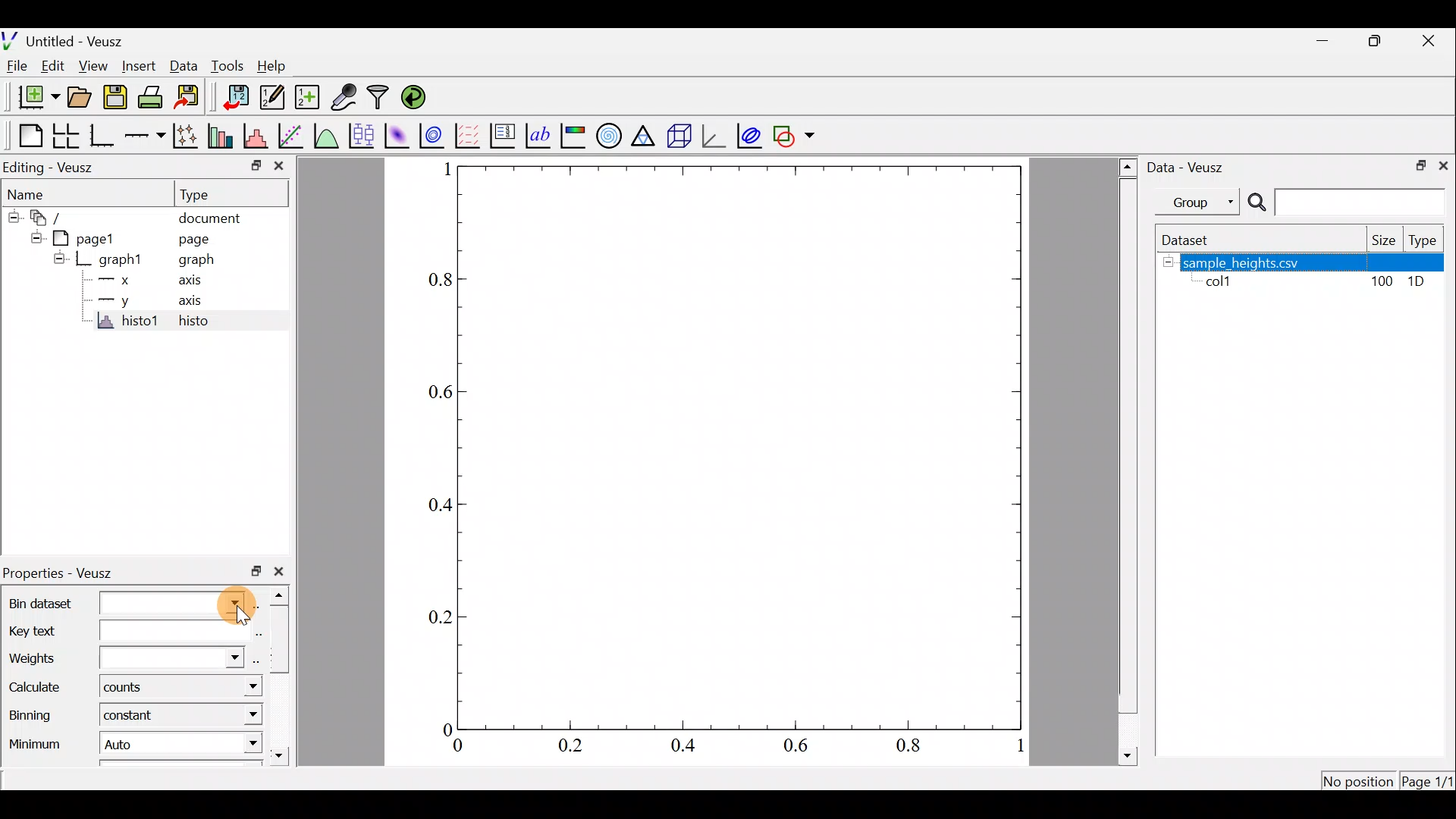 This screenshot has height=819, width=1456. What do you see at coordinates (361, 135) in the screenshot?
I see `plot box plots` at bounding box center [361, 135].